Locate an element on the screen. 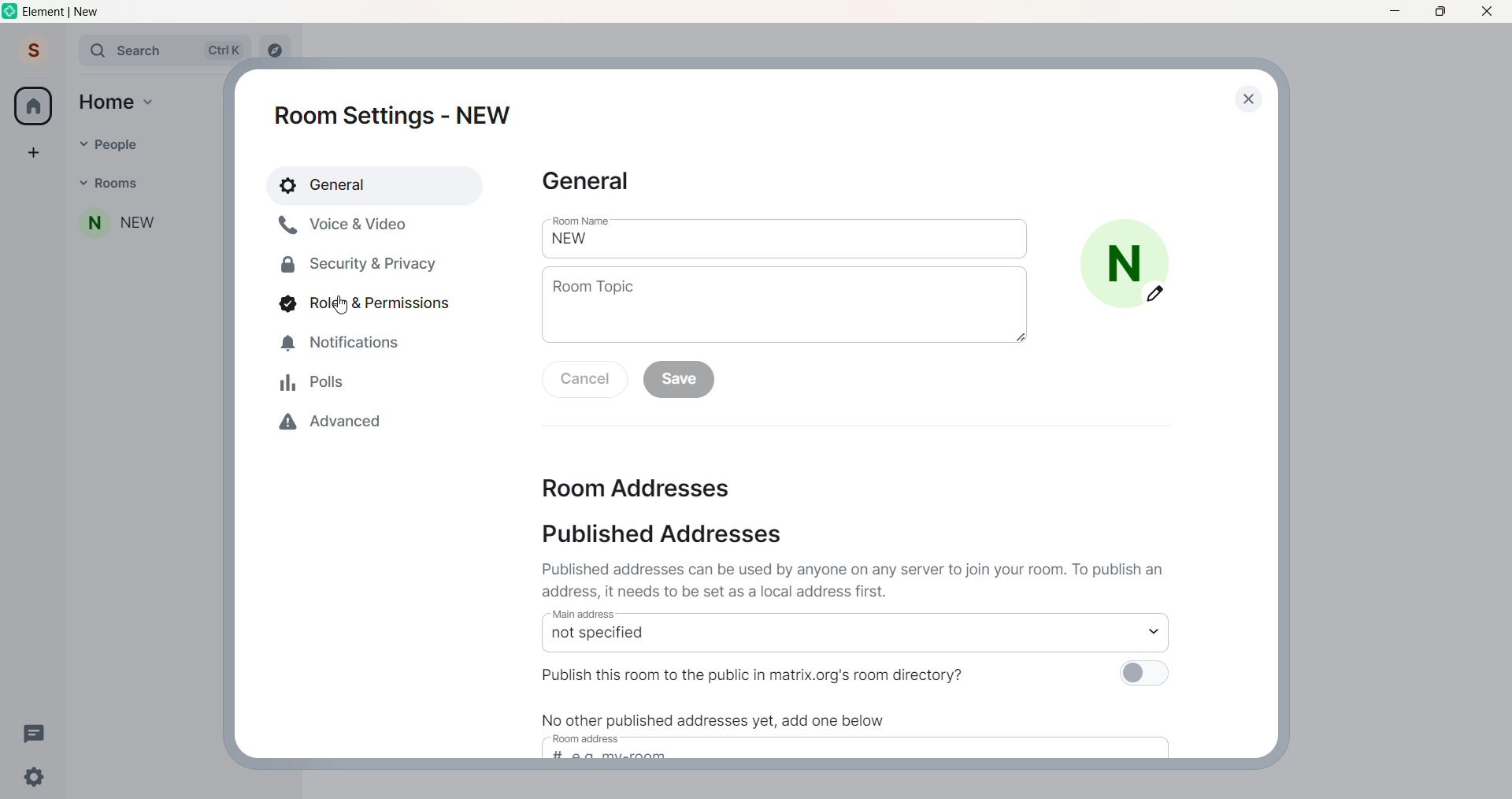  cursor is located at coordinates (340, 305).